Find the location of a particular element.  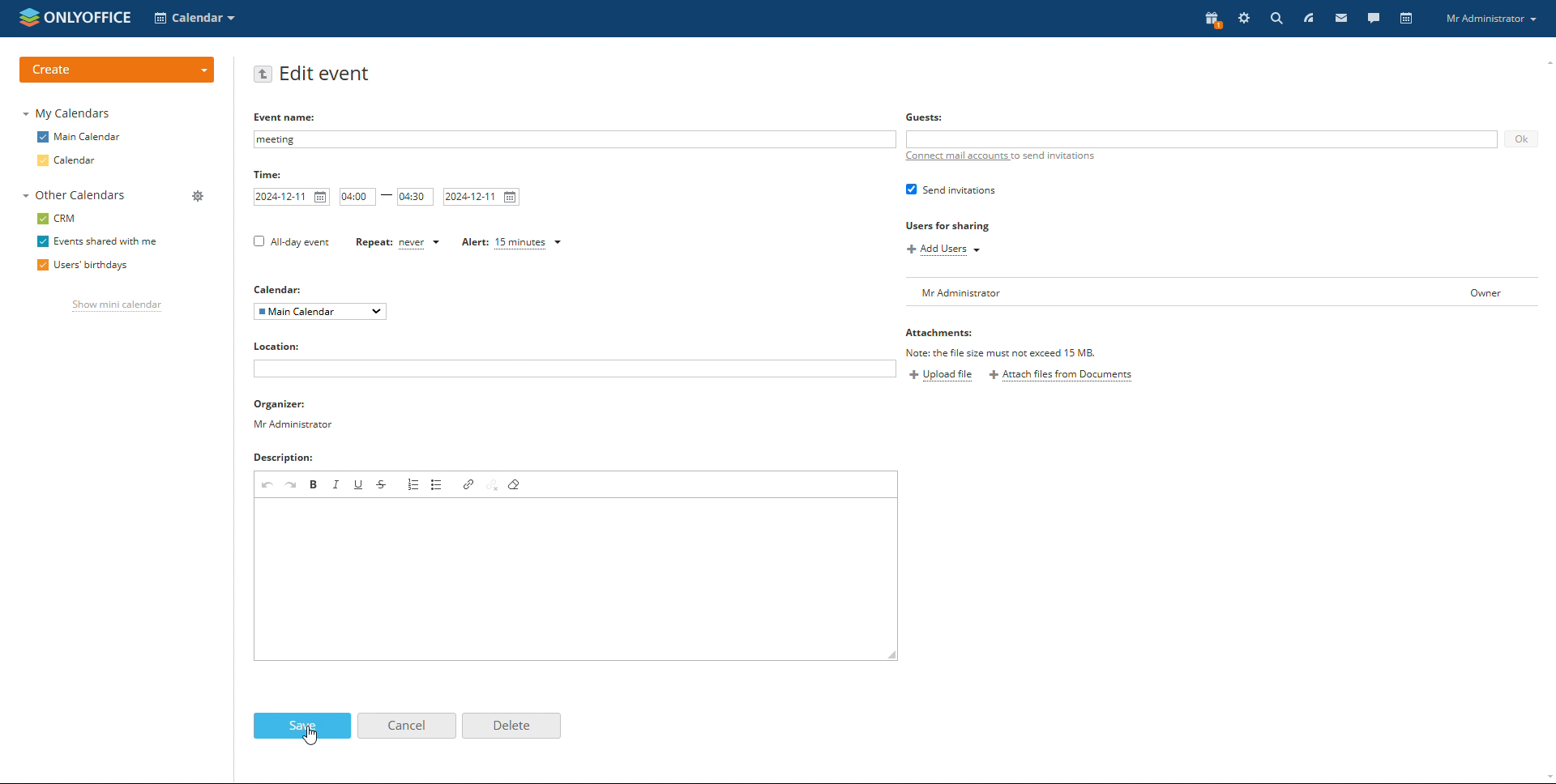

calendar is located at coordinates (68, 160).